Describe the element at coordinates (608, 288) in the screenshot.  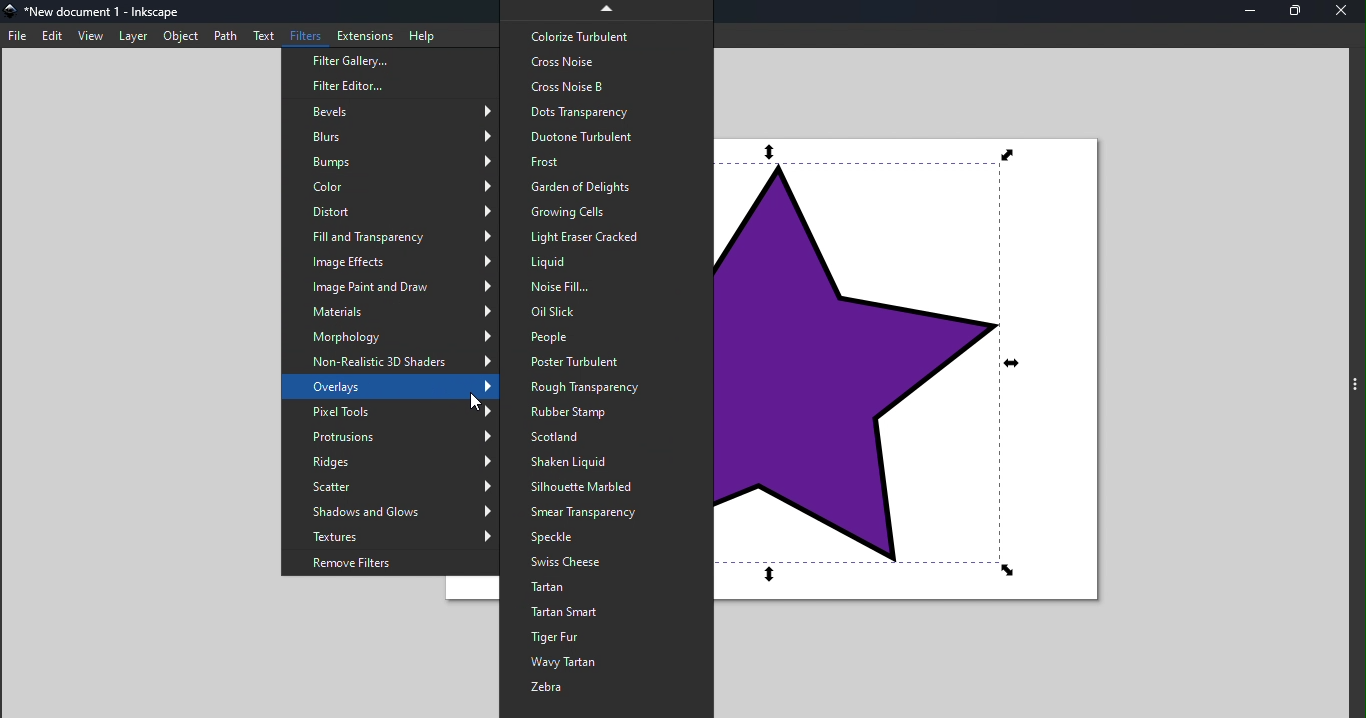
I see `Noise fill` at that location.